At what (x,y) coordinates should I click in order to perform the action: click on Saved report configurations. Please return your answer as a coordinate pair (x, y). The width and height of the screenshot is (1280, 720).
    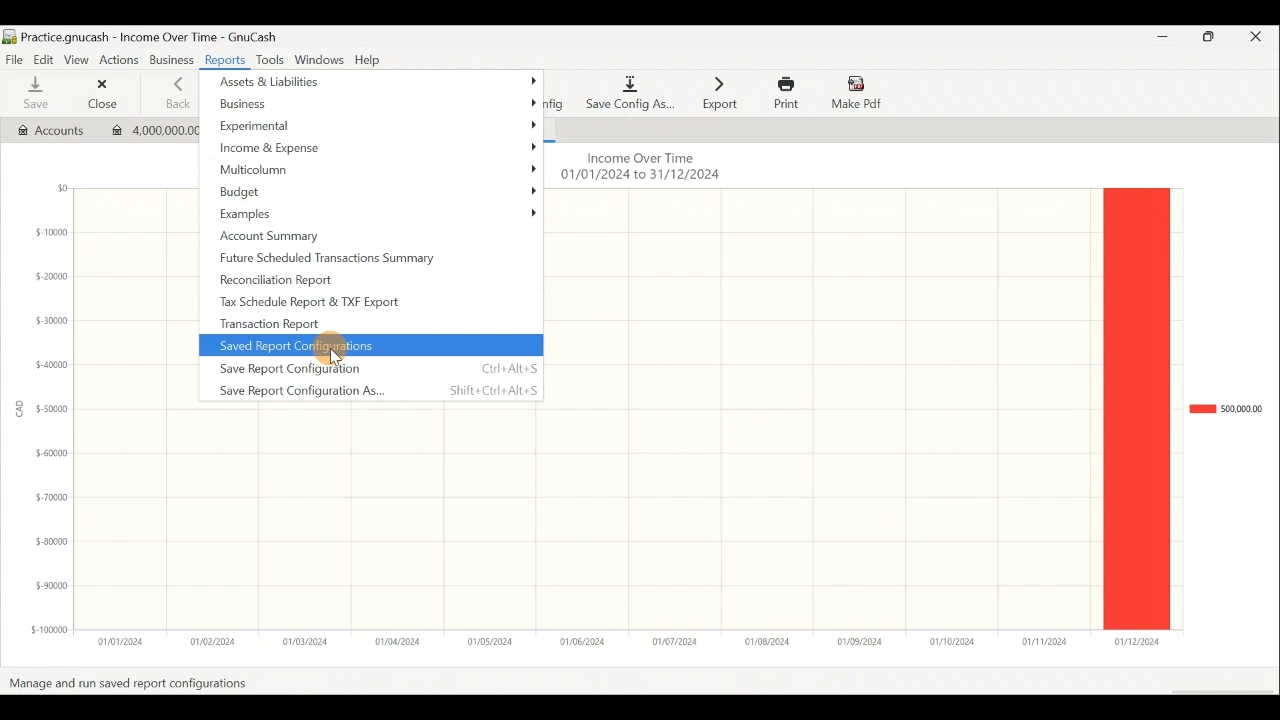
    Looking at the image, I should click on (371, 345).